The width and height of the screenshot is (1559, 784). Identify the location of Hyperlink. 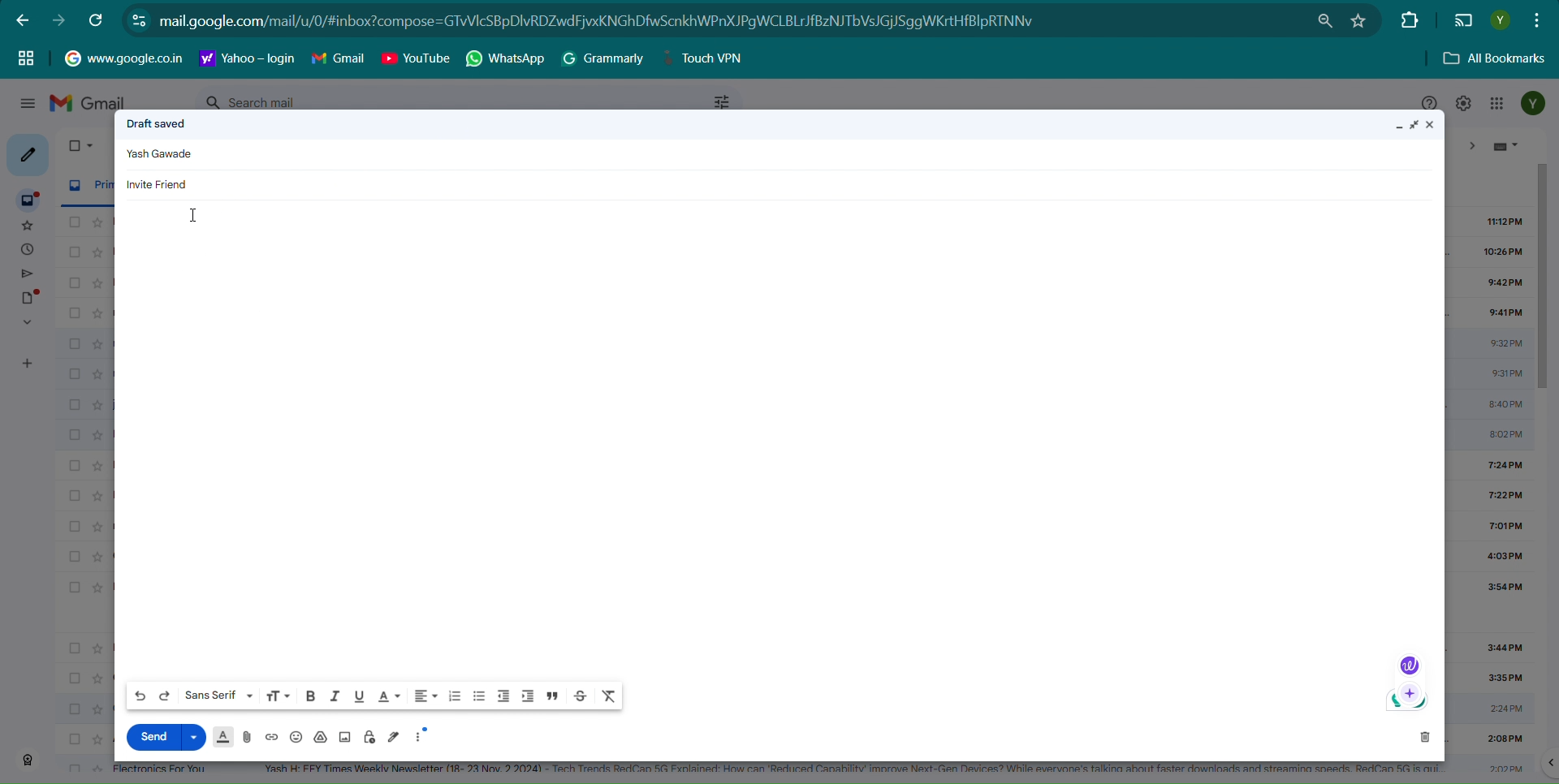
(123, 57).